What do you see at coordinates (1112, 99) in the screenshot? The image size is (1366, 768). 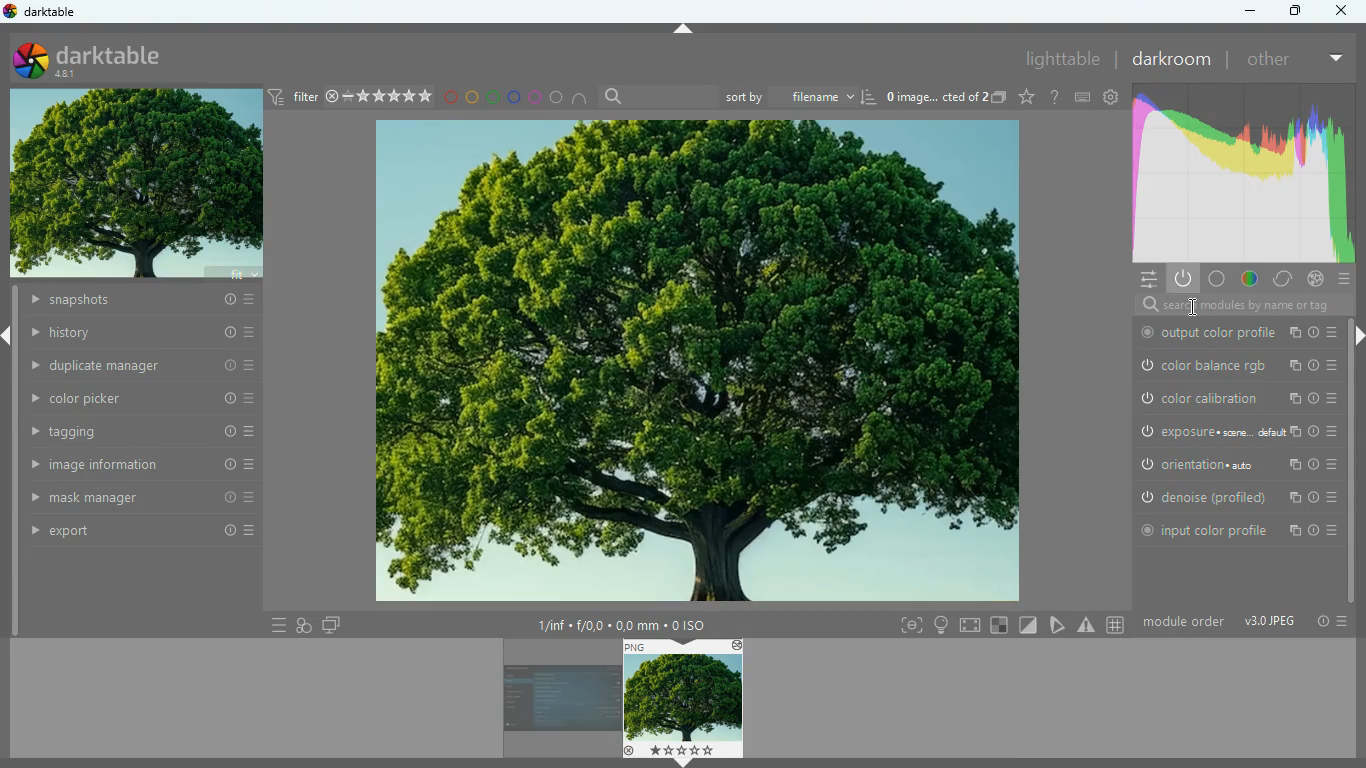 I see `settings` at bounding box center [1112, 99].